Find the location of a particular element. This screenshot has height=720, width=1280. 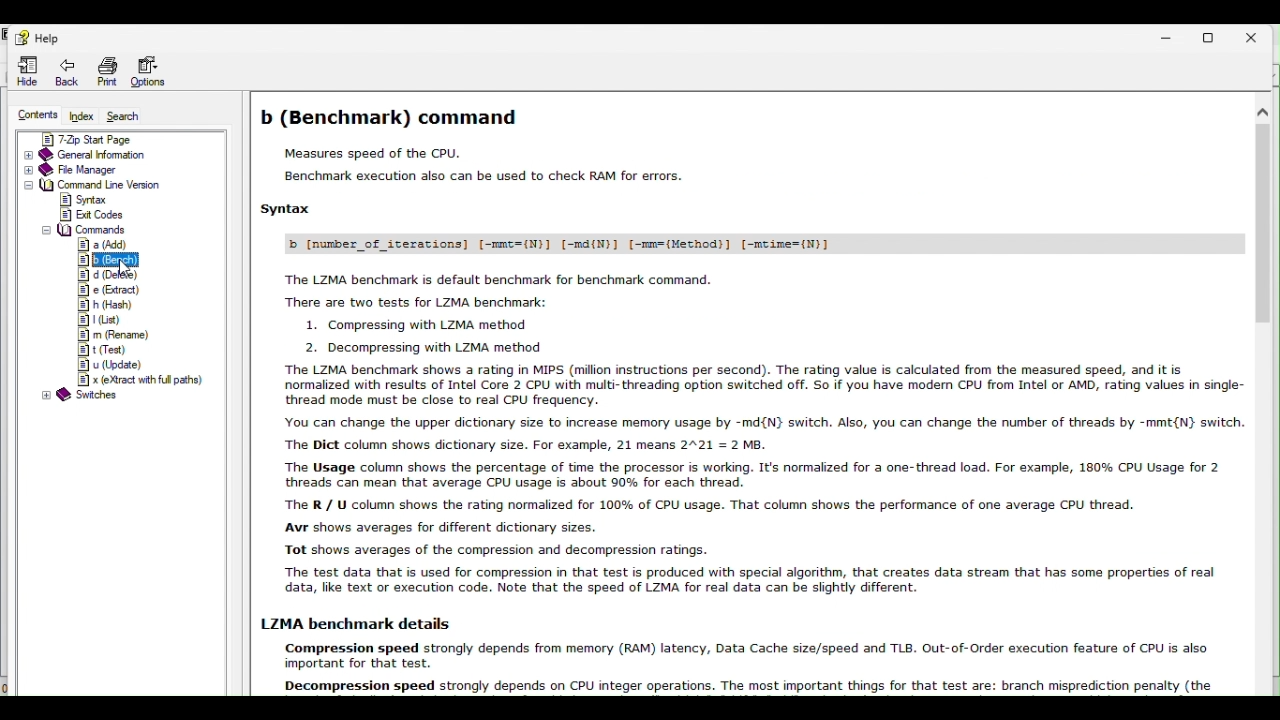

a is located at coordinates (109, 246).